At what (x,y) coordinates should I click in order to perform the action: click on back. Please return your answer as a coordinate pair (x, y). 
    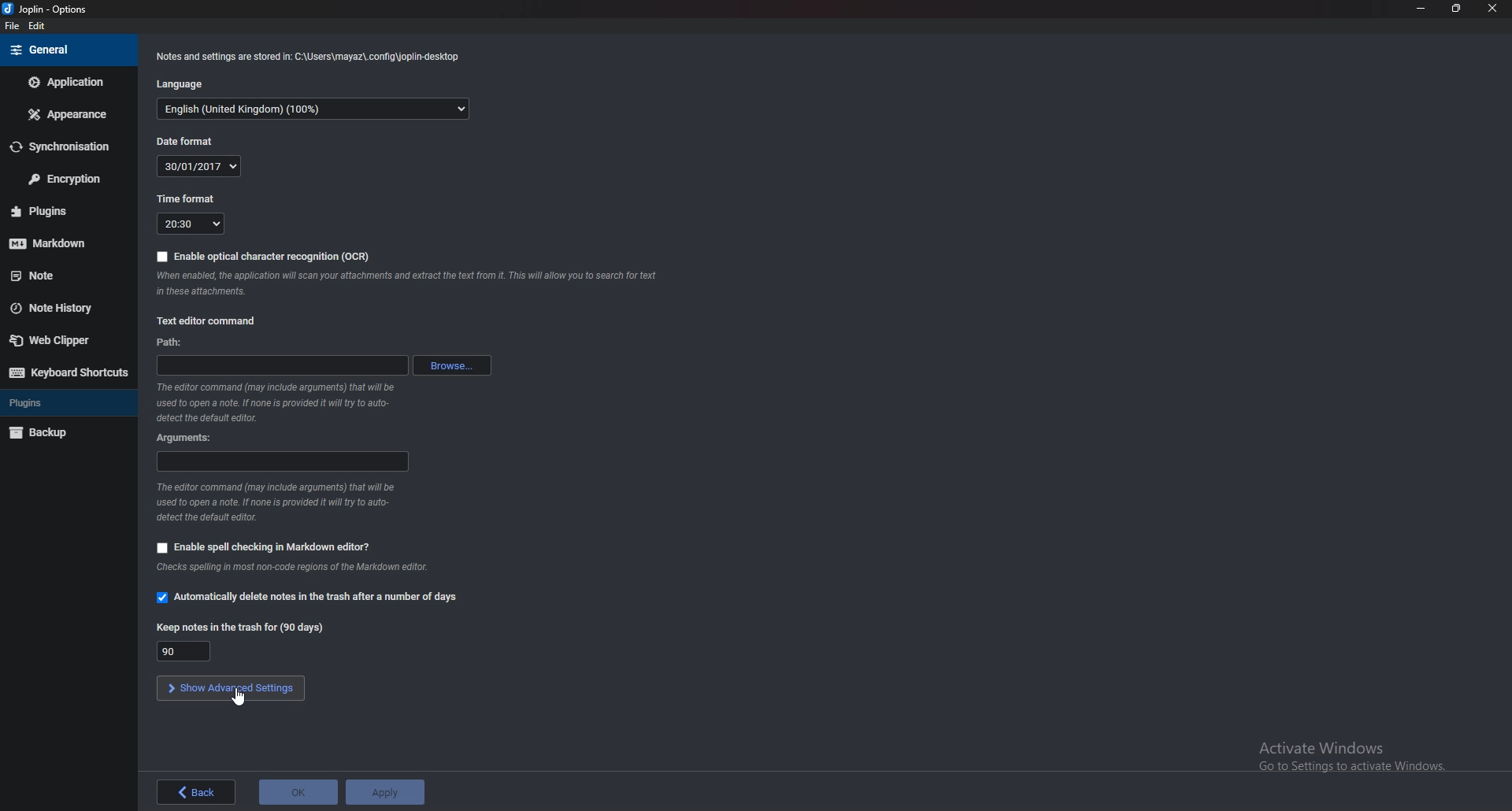
    Looking at the image, I should click on (195, 792).